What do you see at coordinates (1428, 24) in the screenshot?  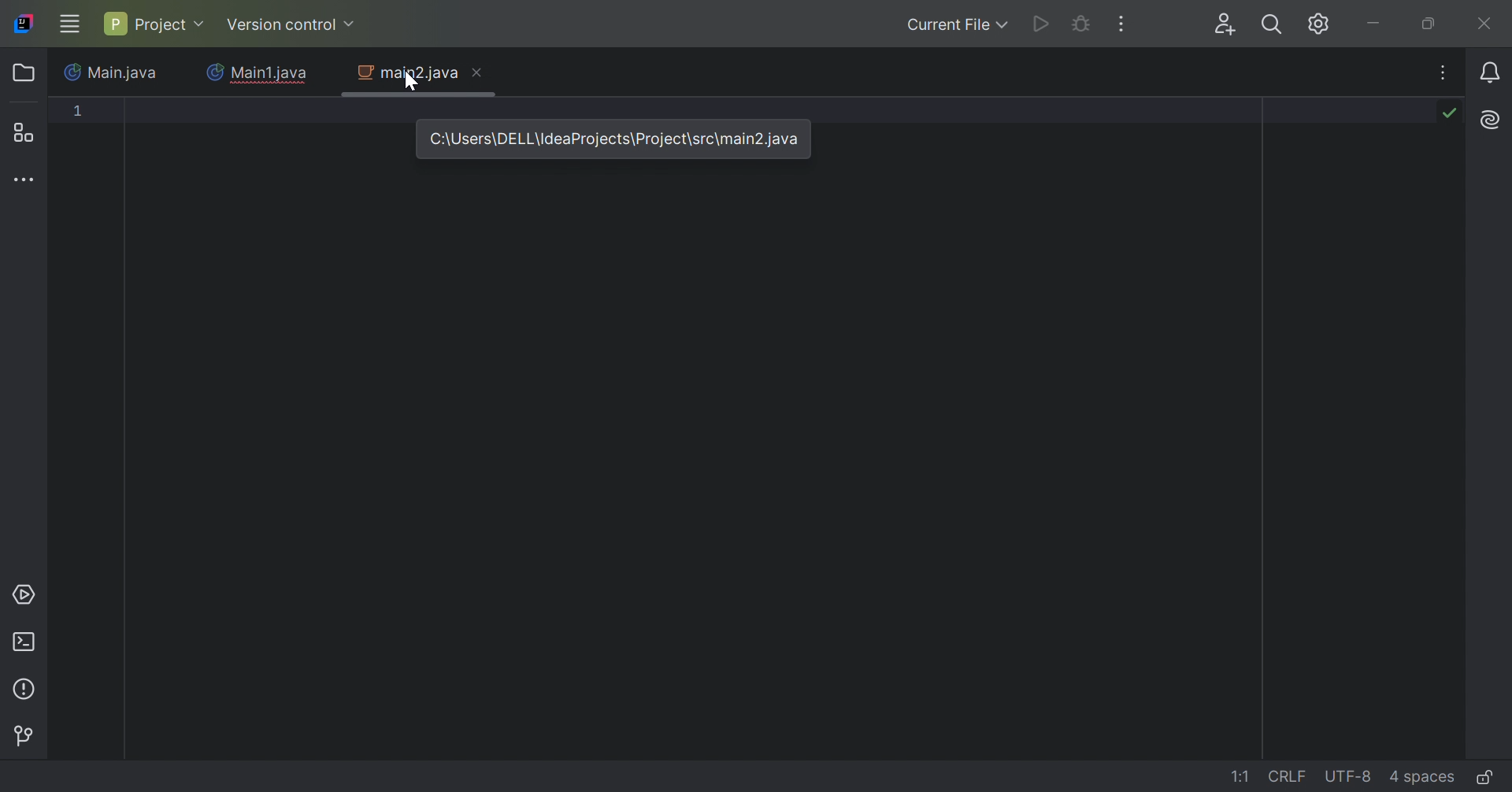 I see `Restore down` at bounding box center [1428, 24].